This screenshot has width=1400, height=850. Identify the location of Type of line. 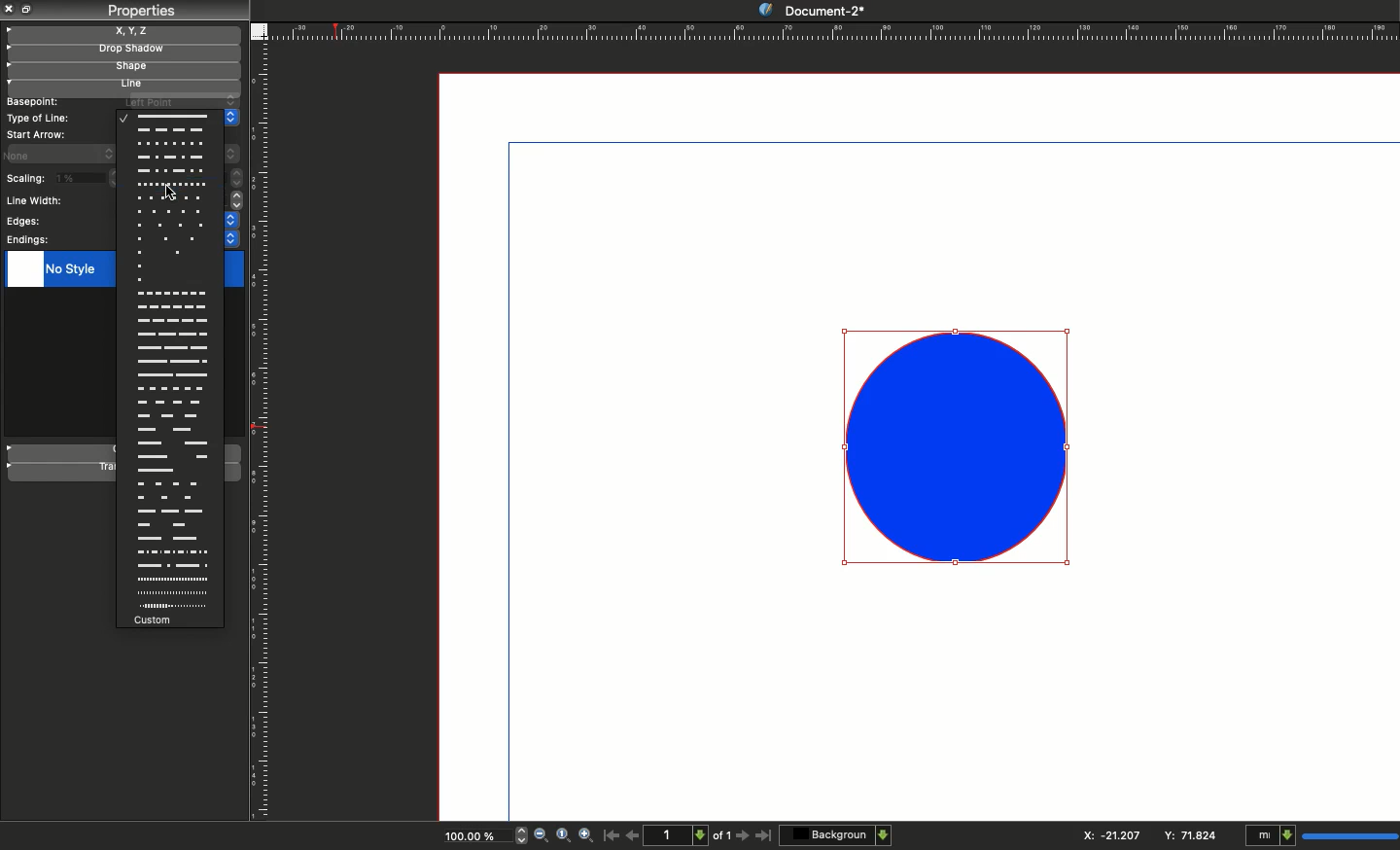
(40, 118).